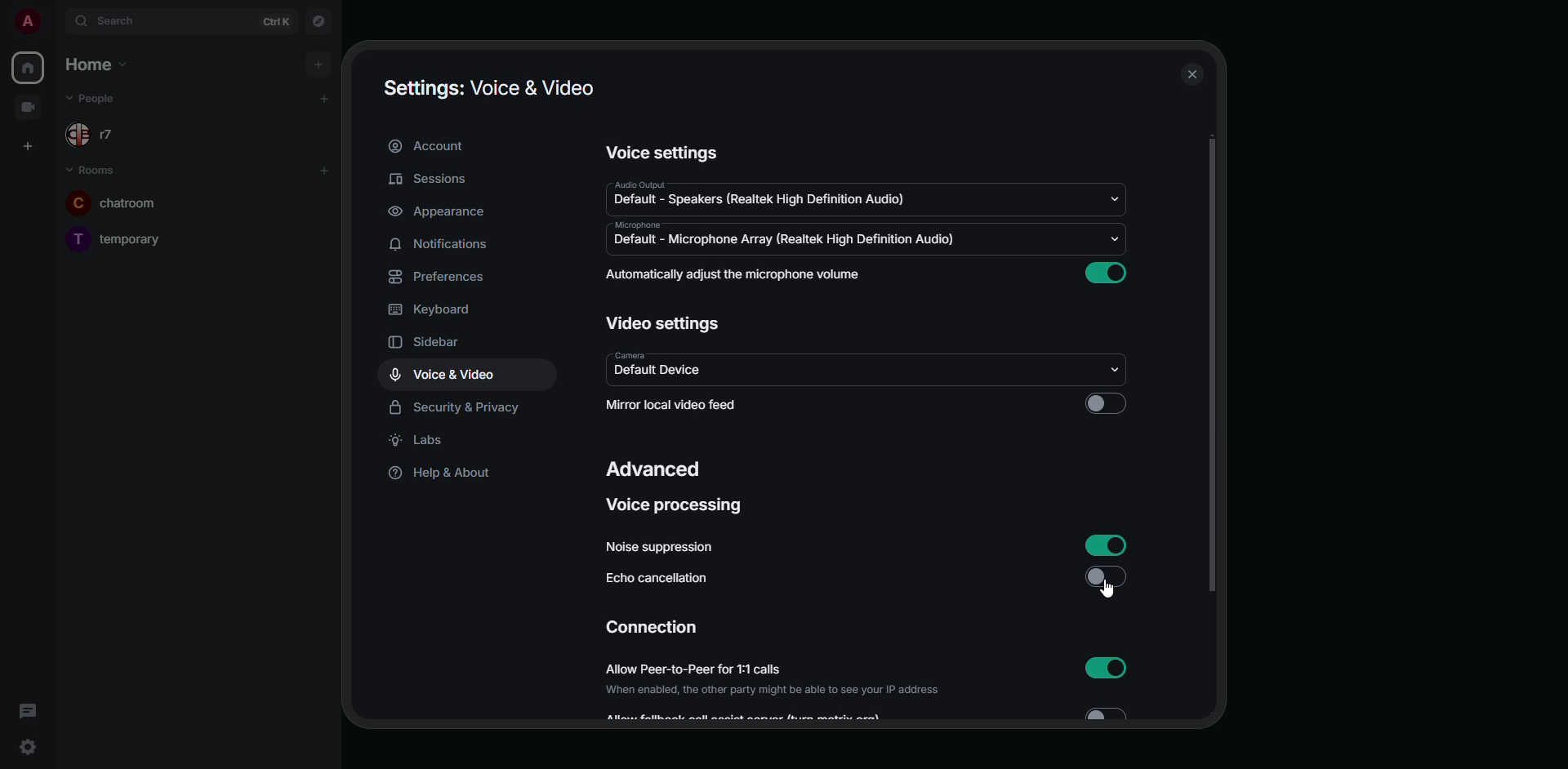 This screenshot has width=1568, height=769. I want to click on preferences, so click(436, 278).